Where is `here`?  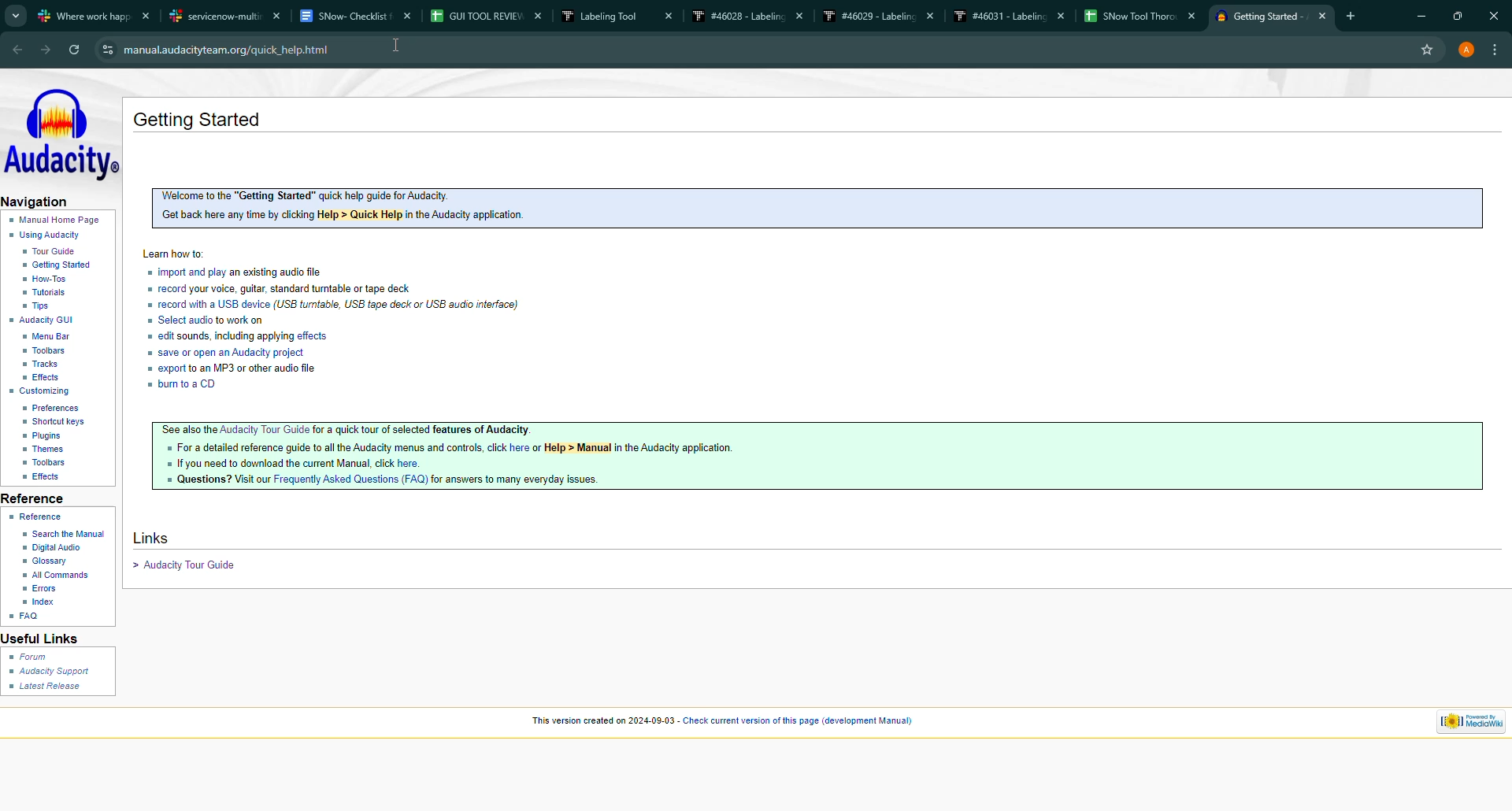 here is located at coordinates (520, 448).